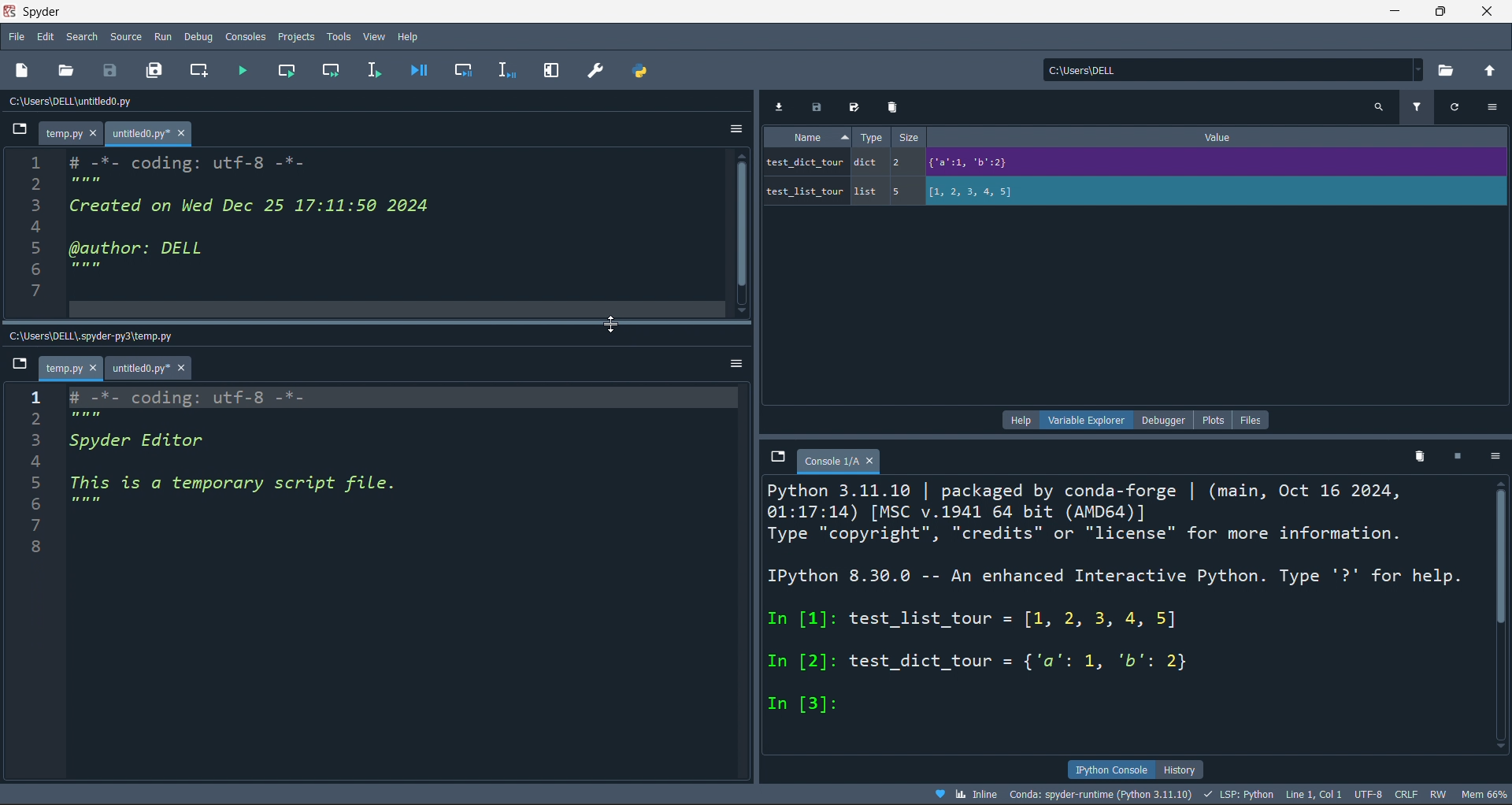  What do you see at coordinates (113, 69) in the screenshot?
I see `SAVE` at bounding box center [113, 69].